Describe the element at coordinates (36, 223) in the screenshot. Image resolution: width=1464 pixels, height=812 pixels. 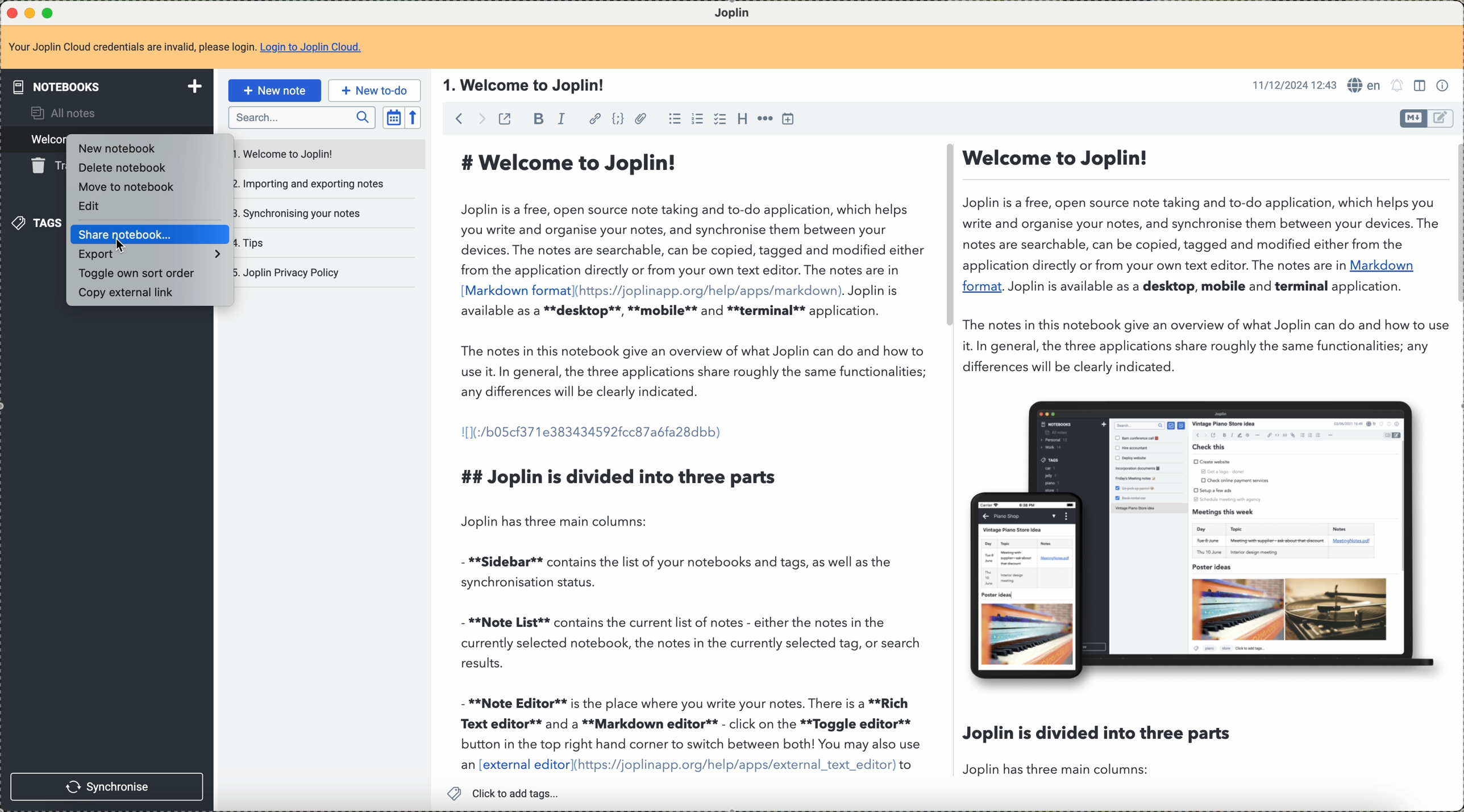
I see `Tags` at that location.